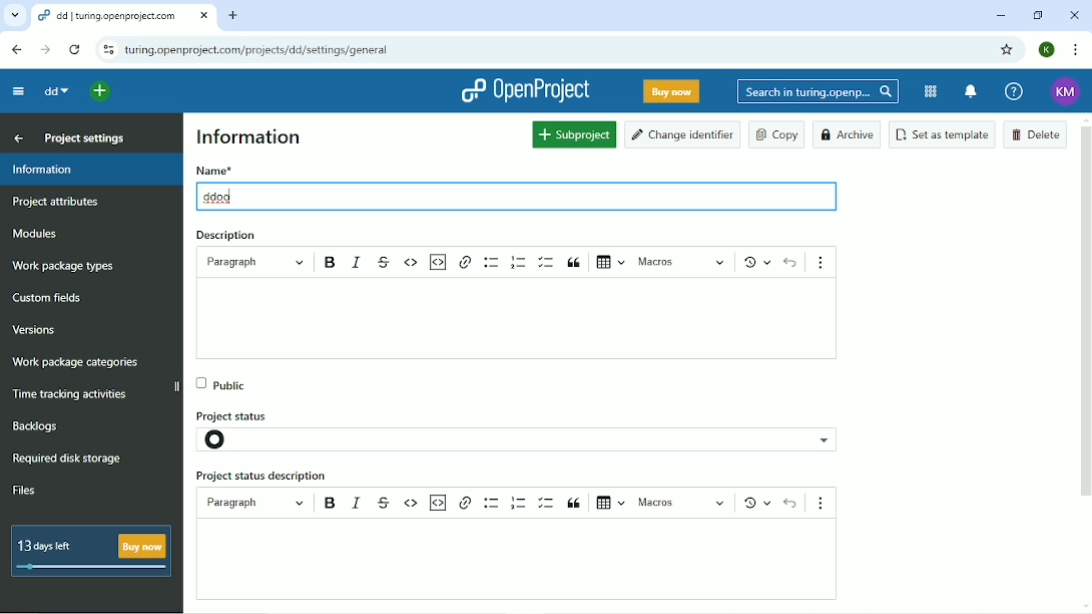  Describe the element at coordinates (220, 196) in the screenshot. I see `ddoo` at that location.